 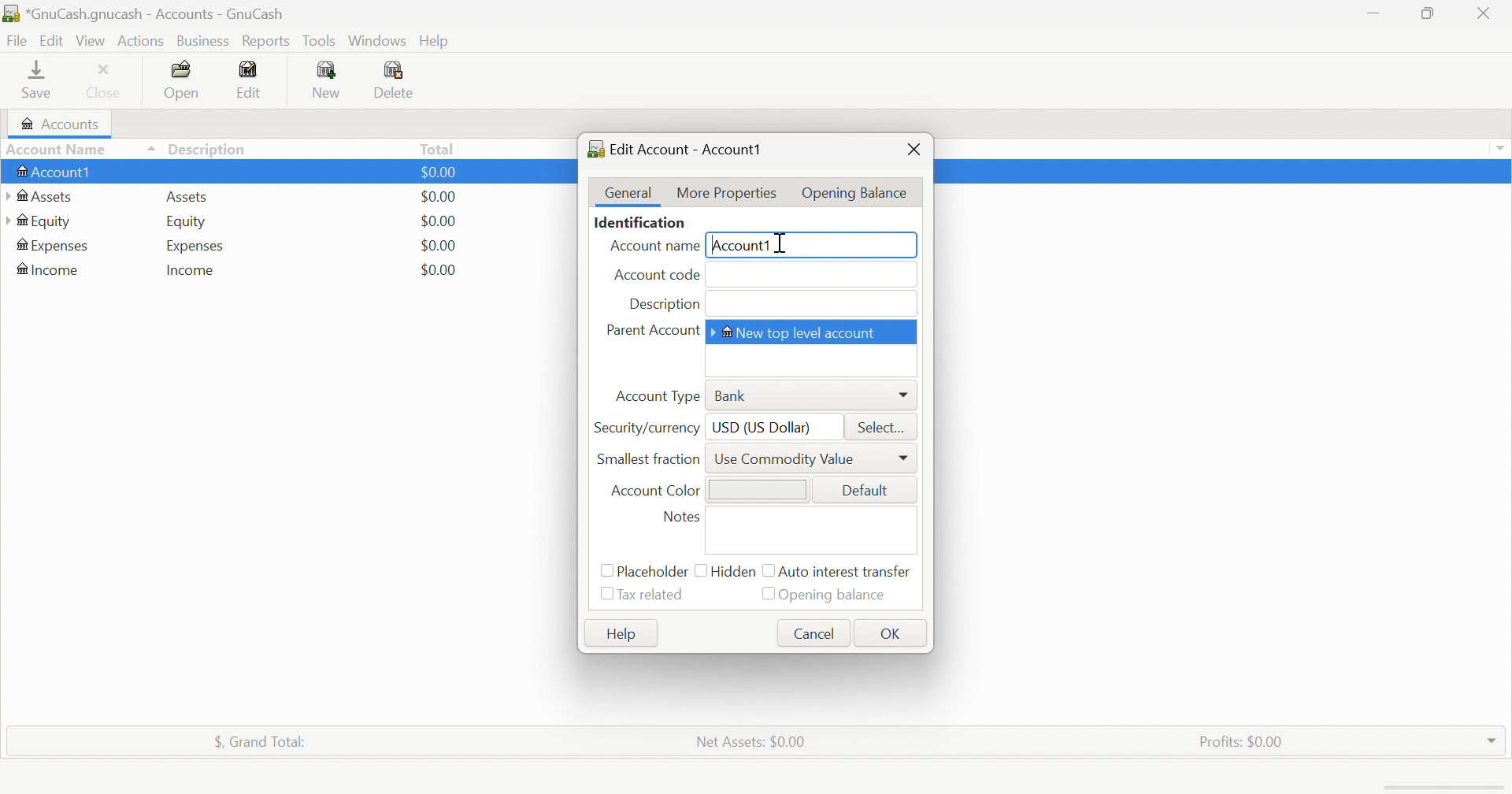 What do you see at coordinates (786, 459) in the screenshot?
I see `Use Commodity Value` at bounding box center [786, 459].